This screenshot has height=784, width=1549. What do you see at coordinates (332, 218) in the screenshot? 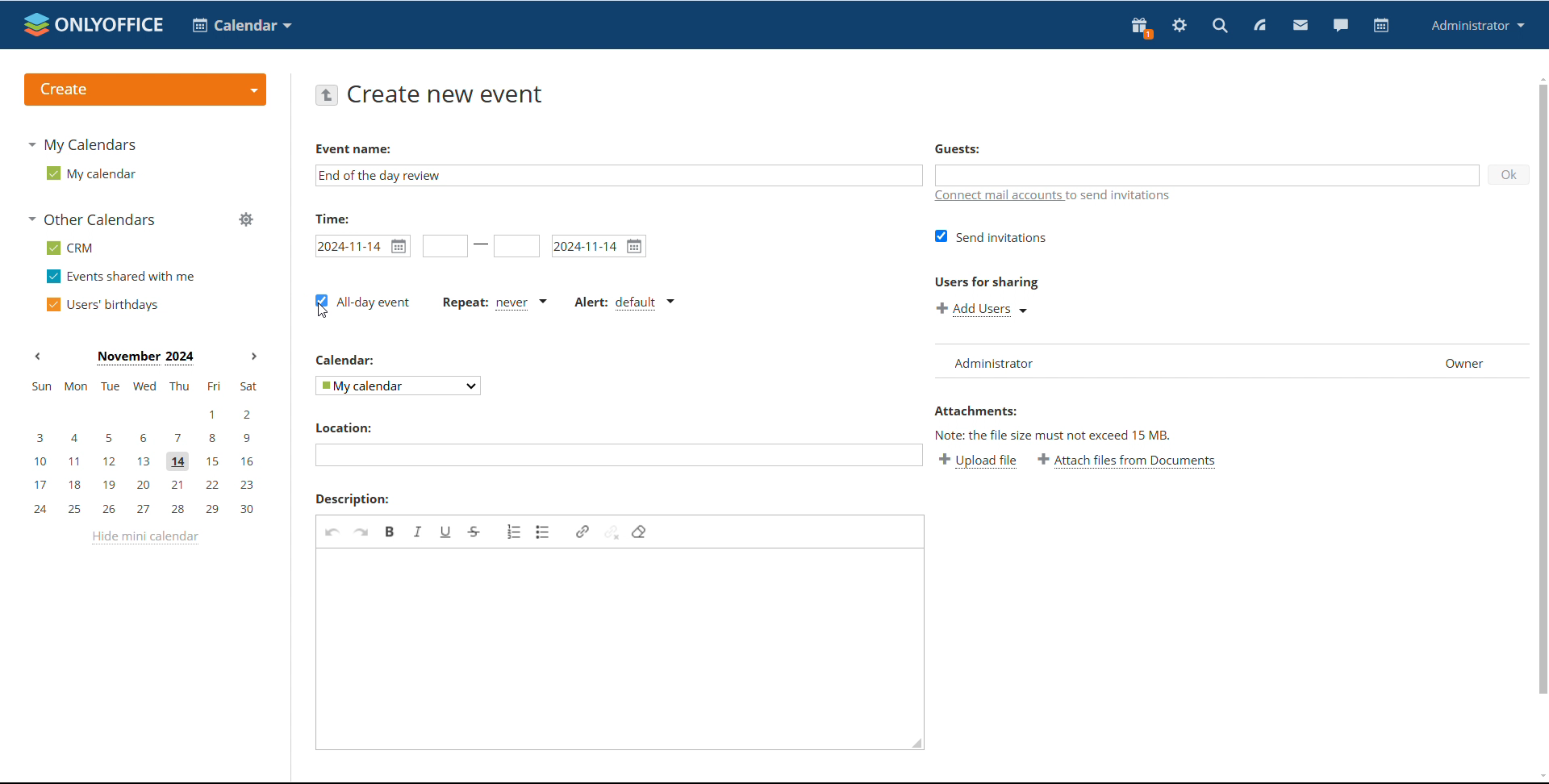
I see `time` at bounding box center [332, 218].